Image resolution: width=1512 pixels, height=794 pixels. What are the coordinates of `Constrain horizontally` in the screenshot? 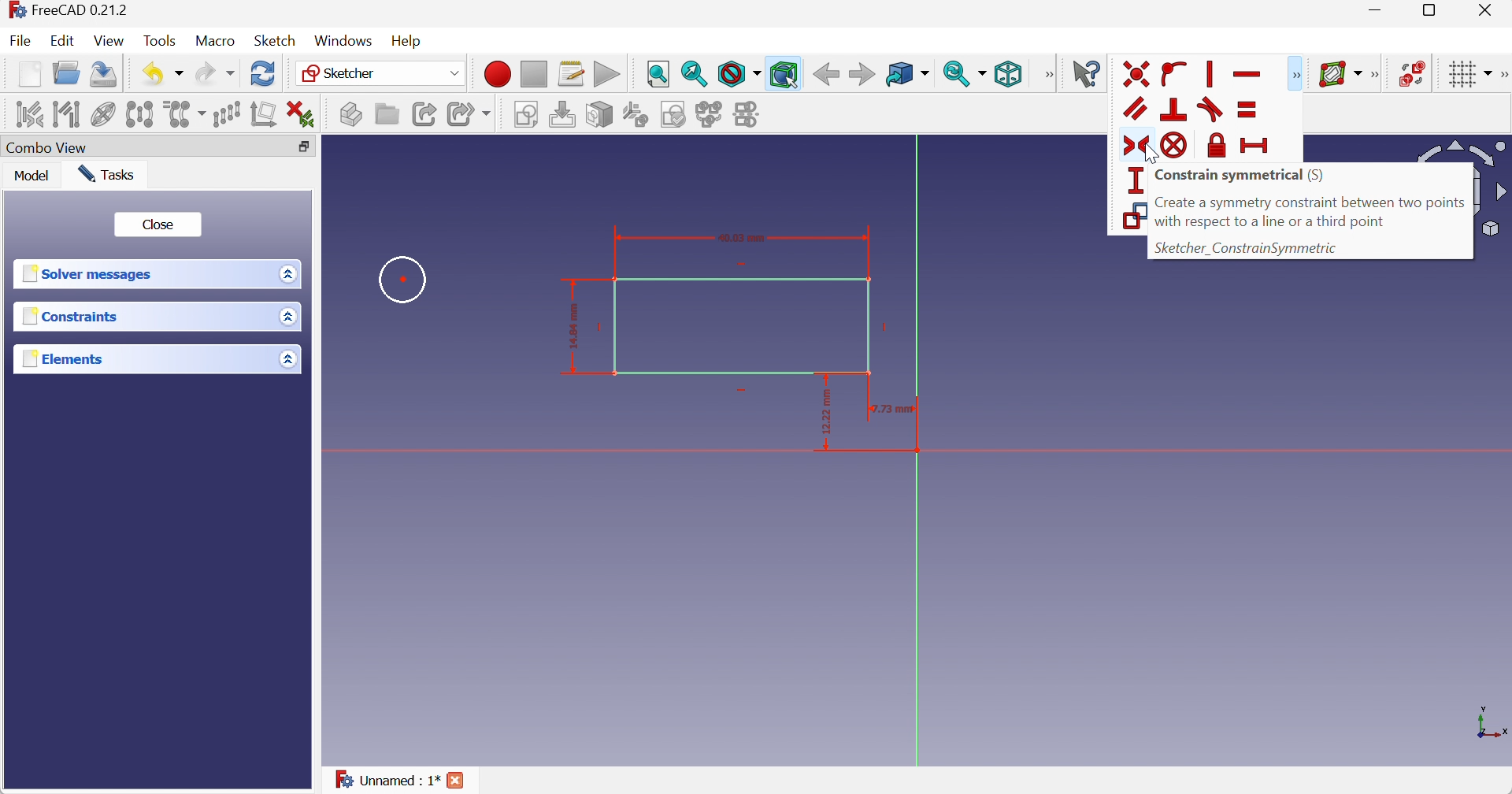 It's located at (1251, 74).